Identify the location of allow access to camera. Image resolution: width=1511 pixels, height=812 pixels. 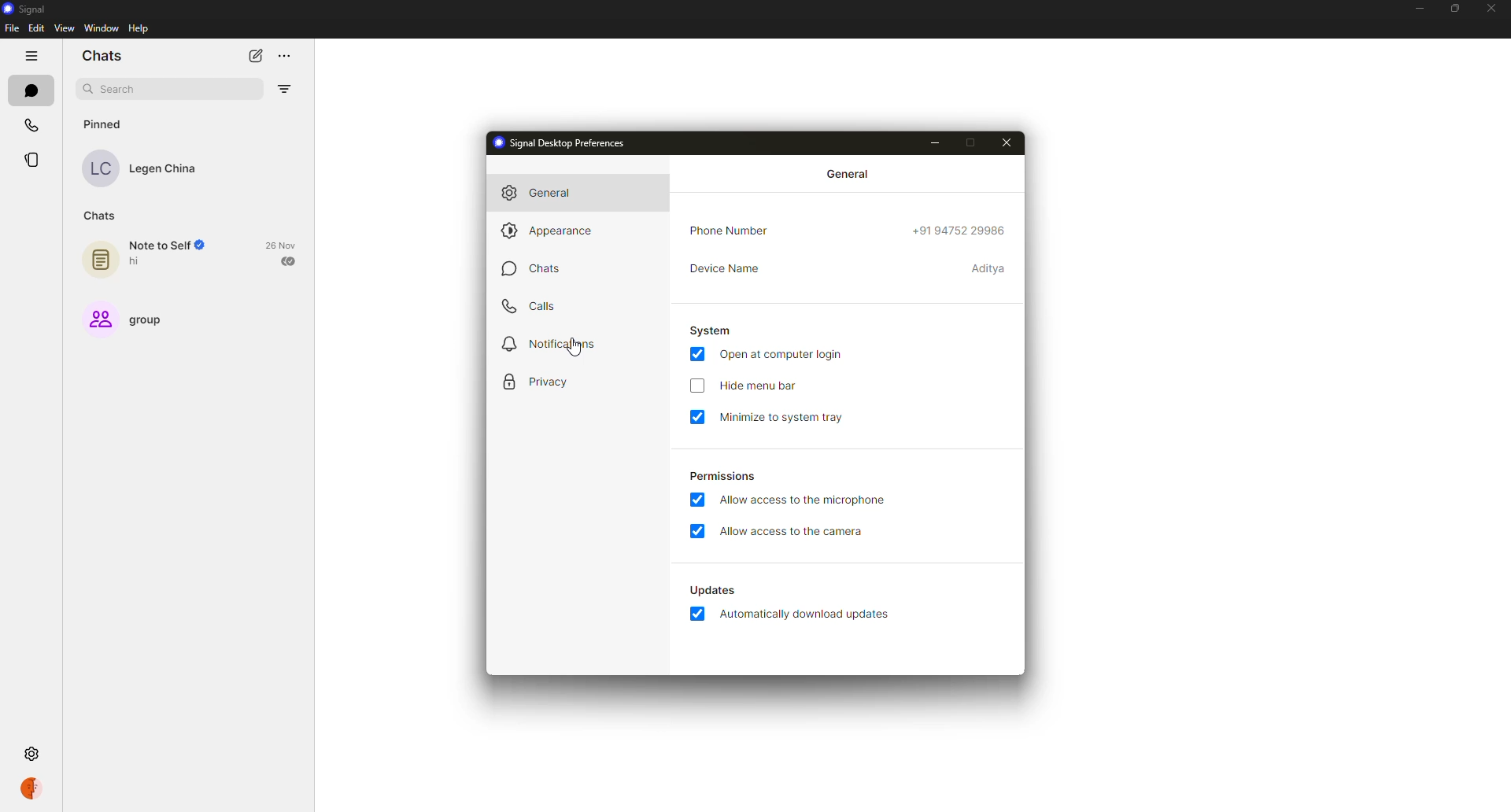
(792, 533).